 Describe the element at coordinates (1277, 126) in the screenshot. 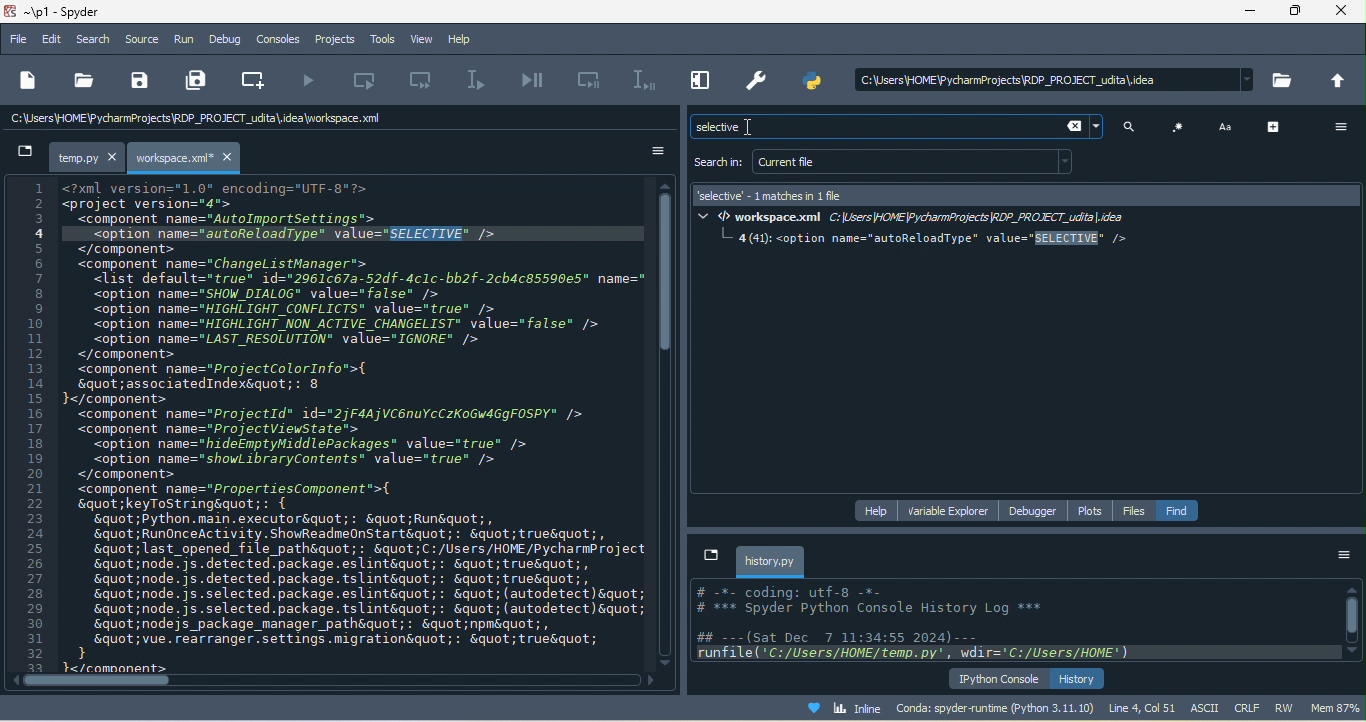

I see `add ` at that location.